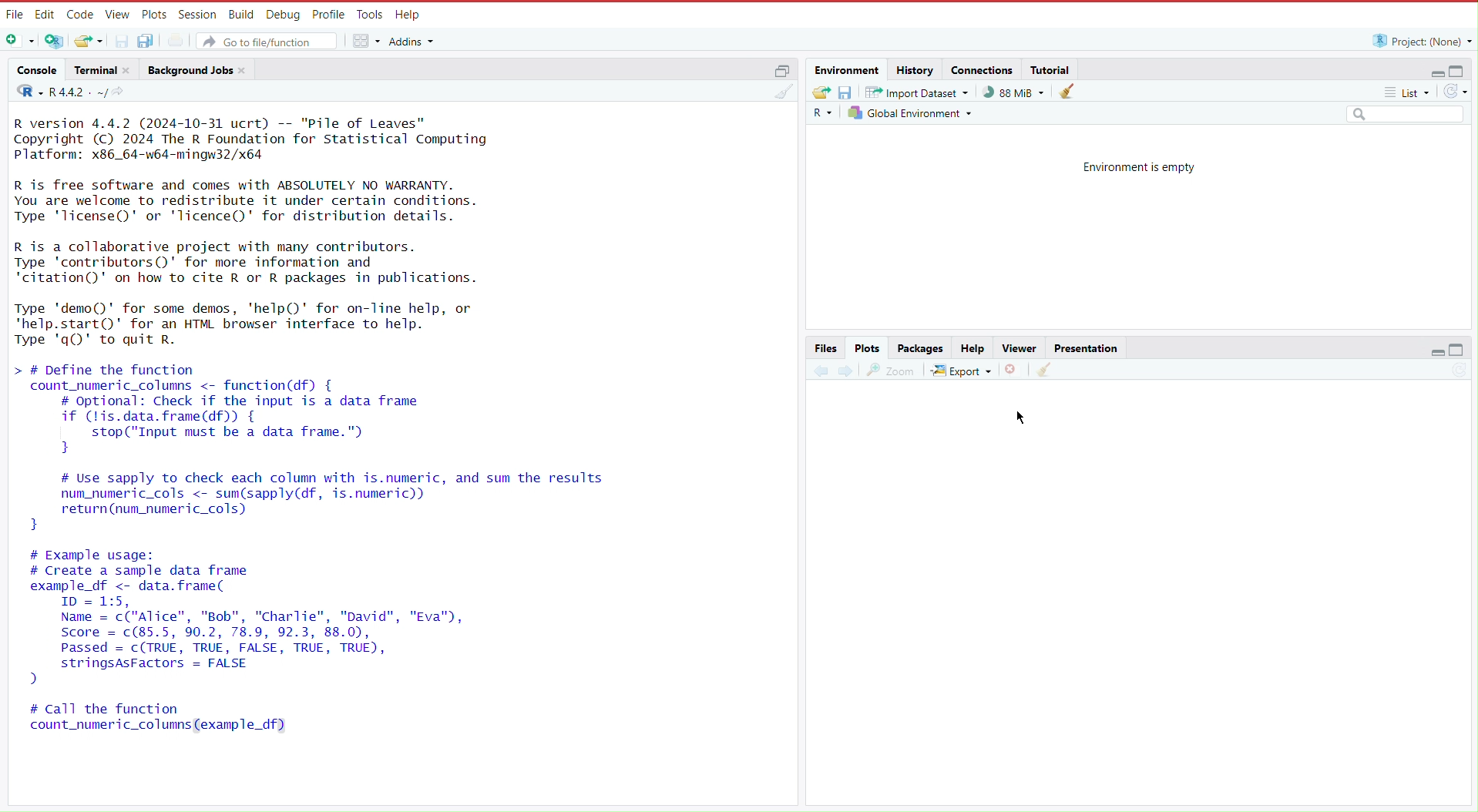  What do you see at coordinates (183, 39) in the screenshot?
I see `Print the current file` at bounding box center [183, 39].